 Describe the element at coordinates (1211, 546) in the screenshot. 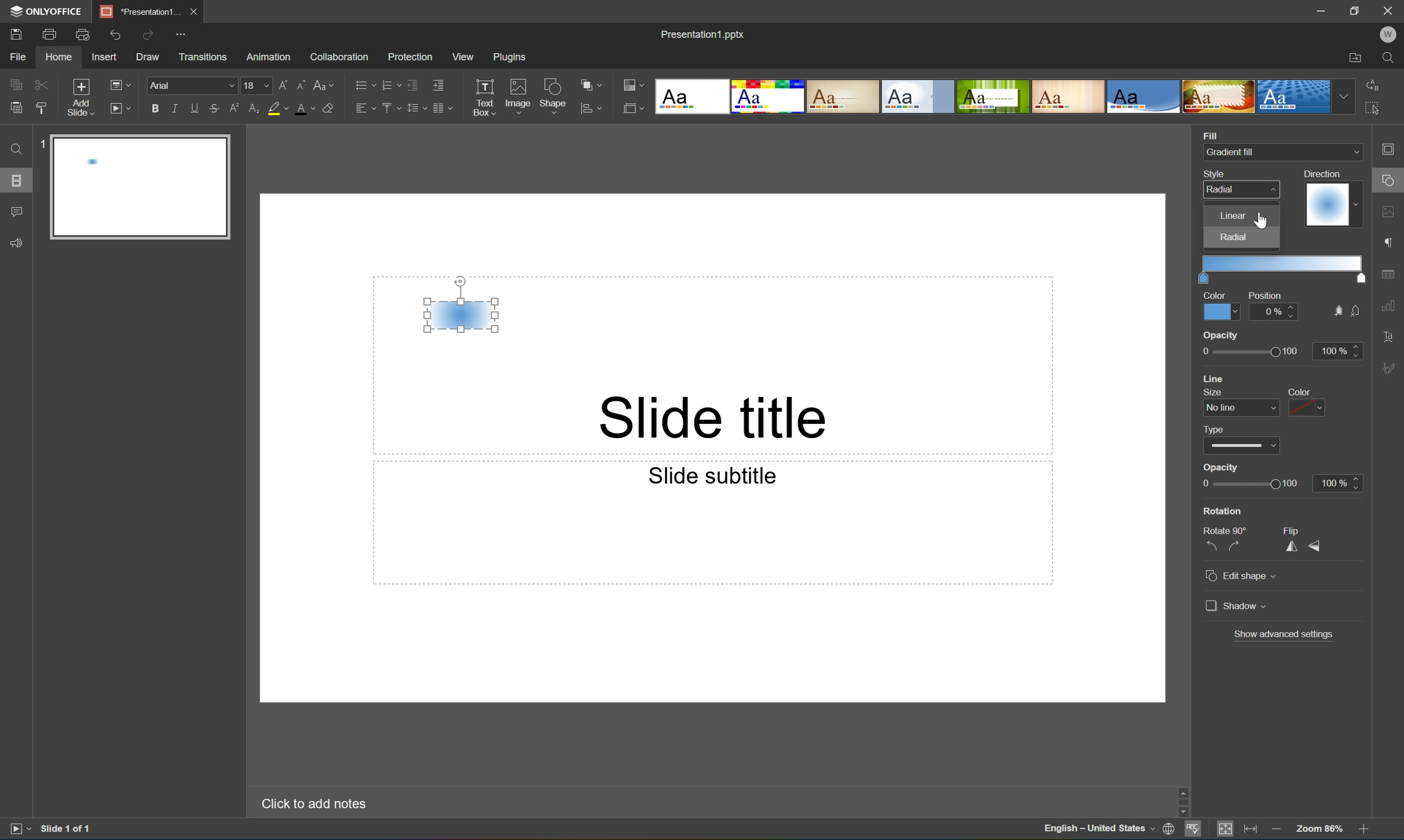

I see `Rotate 90° counterclockwise` at that location.